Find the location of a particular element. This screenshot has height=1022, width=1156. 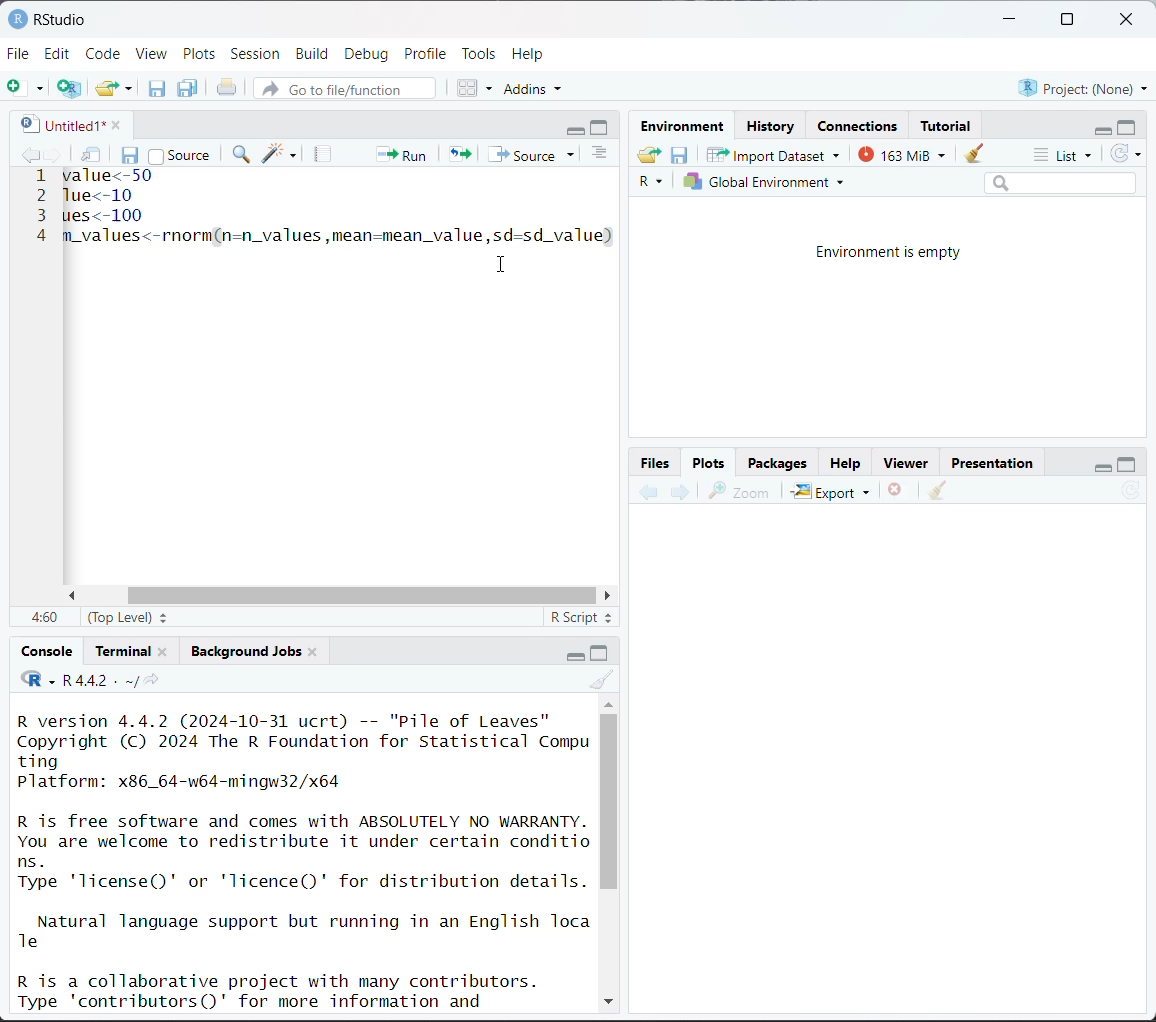

horizontal scroll bar is located at coordinates (360, 596).